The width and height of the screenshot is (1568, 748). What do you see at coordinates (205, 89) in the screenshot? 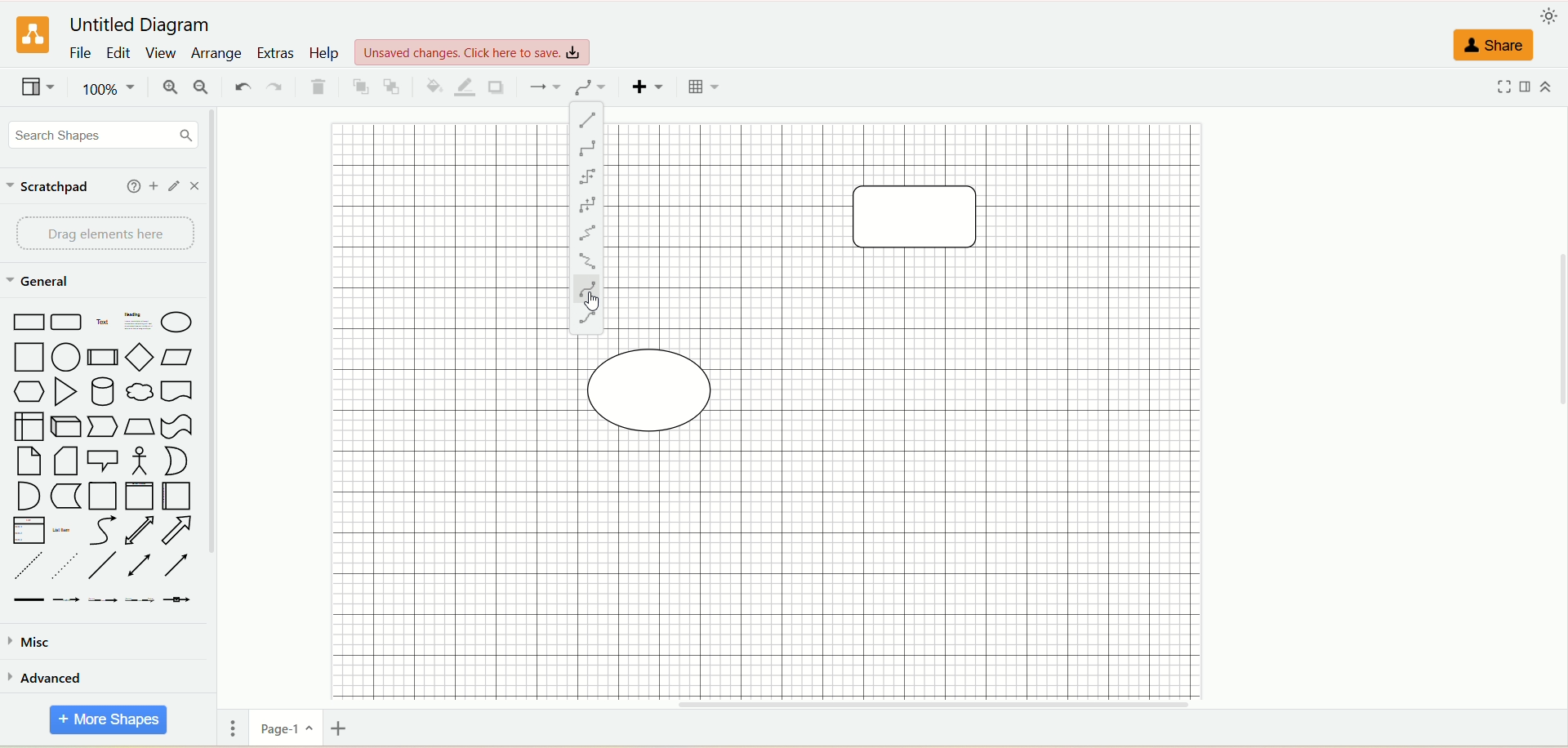
I see `zoom out` at bounding box center [205, 89].